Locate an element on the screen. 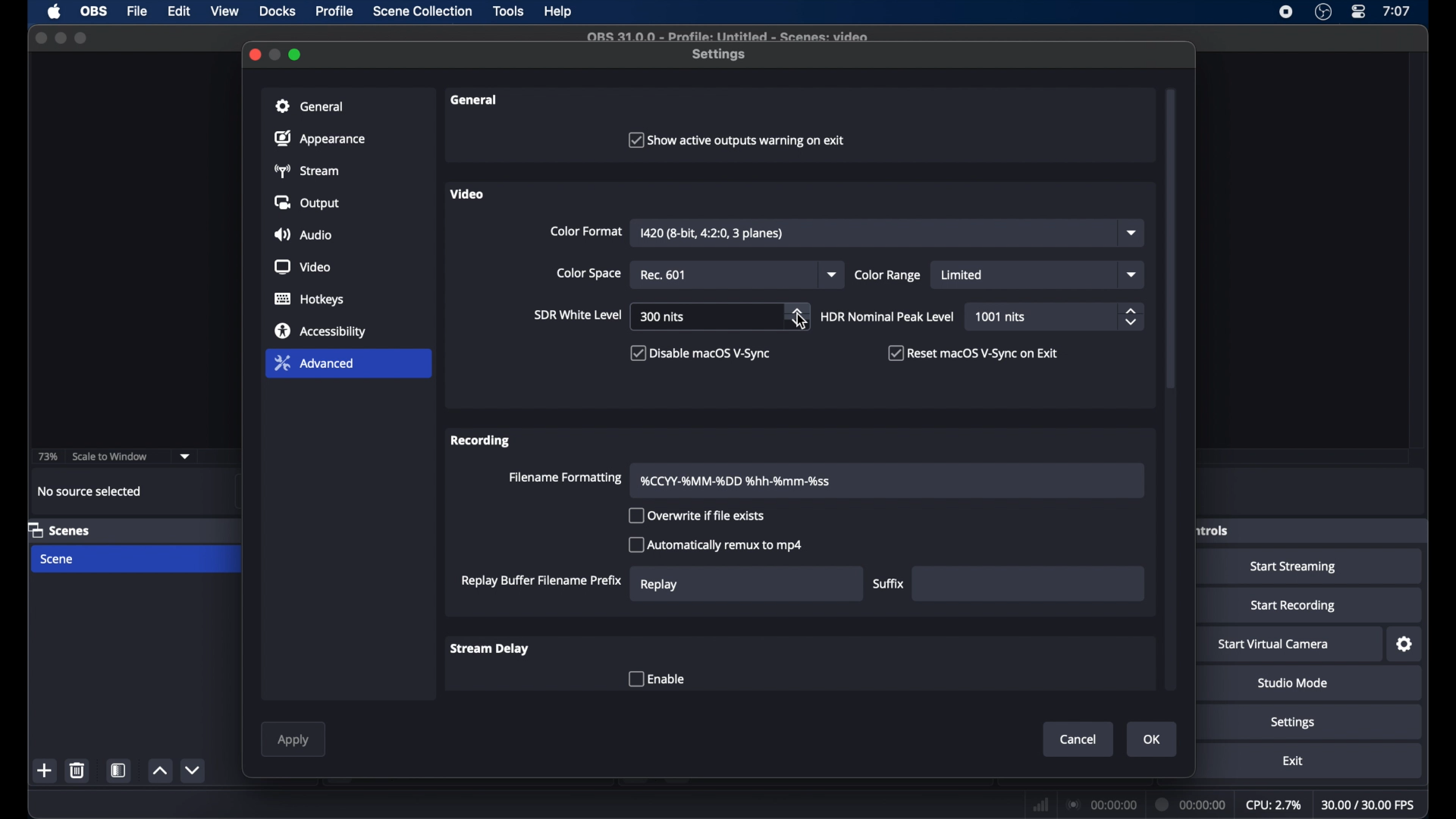 The width and height of the screenshot is (1456, 819). cpu is located at coordinates (1274, 805).